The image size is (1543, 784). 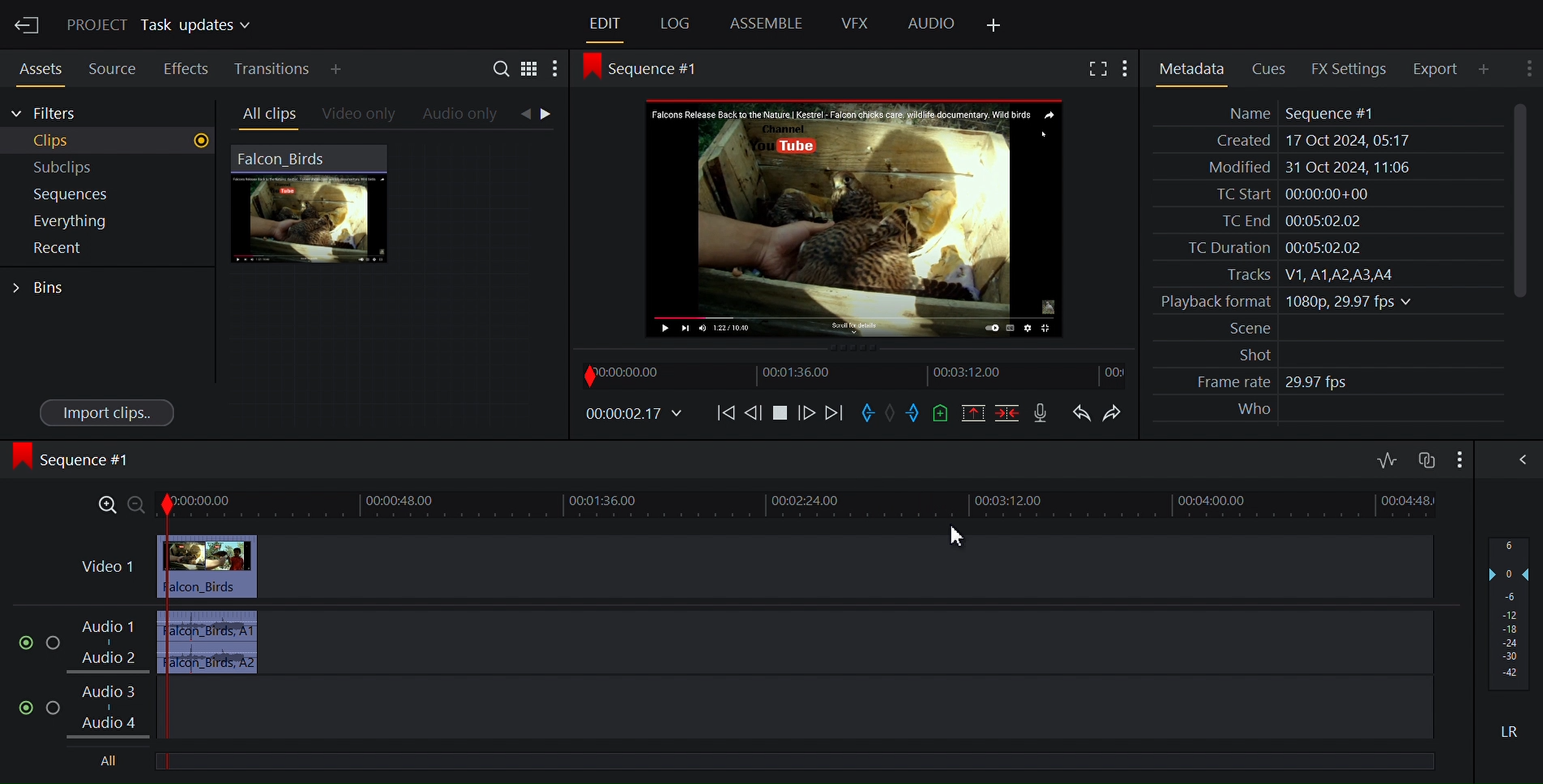 I want to click on VFX, so click(x=855, y=24).